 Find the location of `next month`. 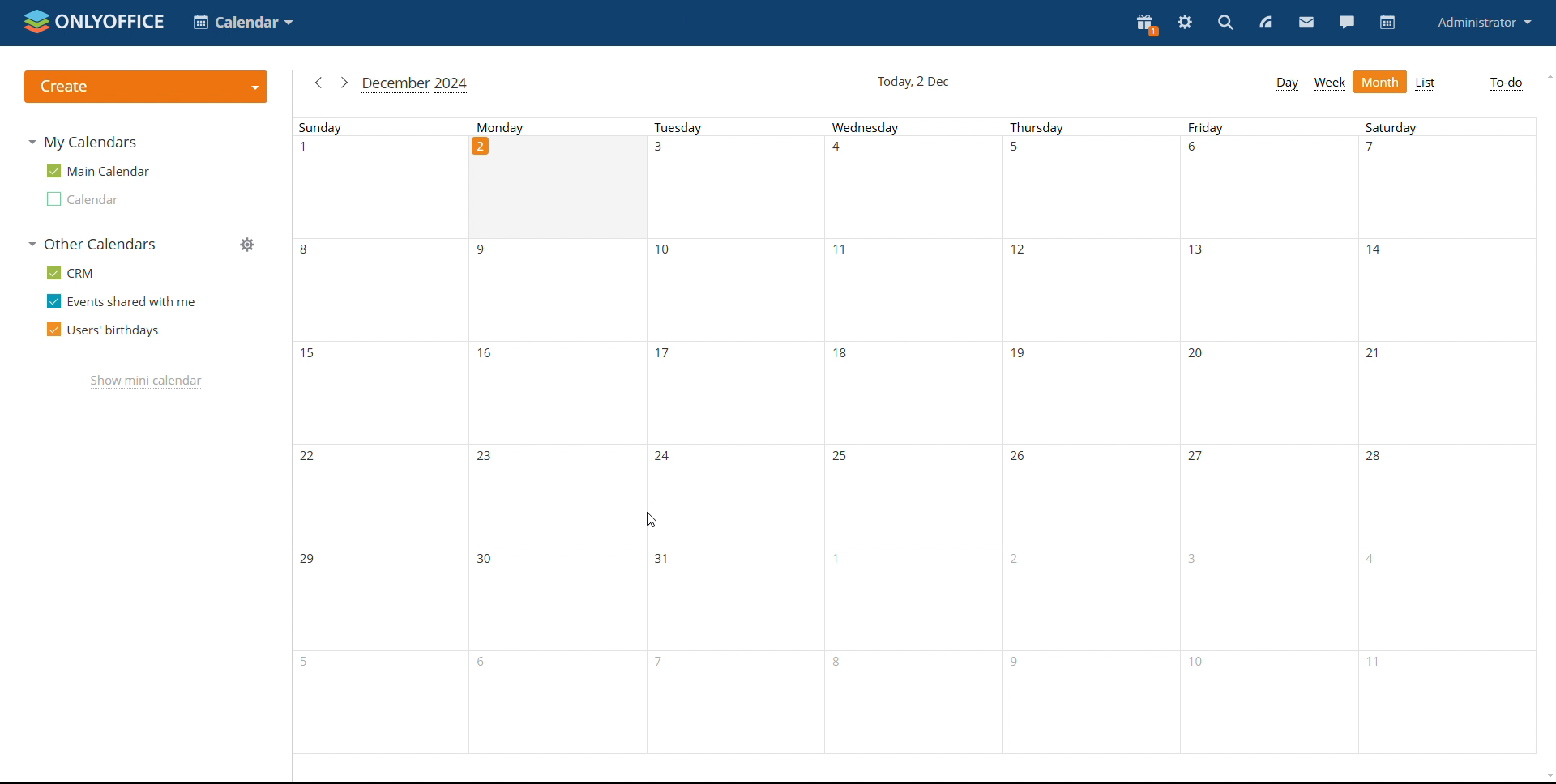

next month is located at coordinates (344, 83).